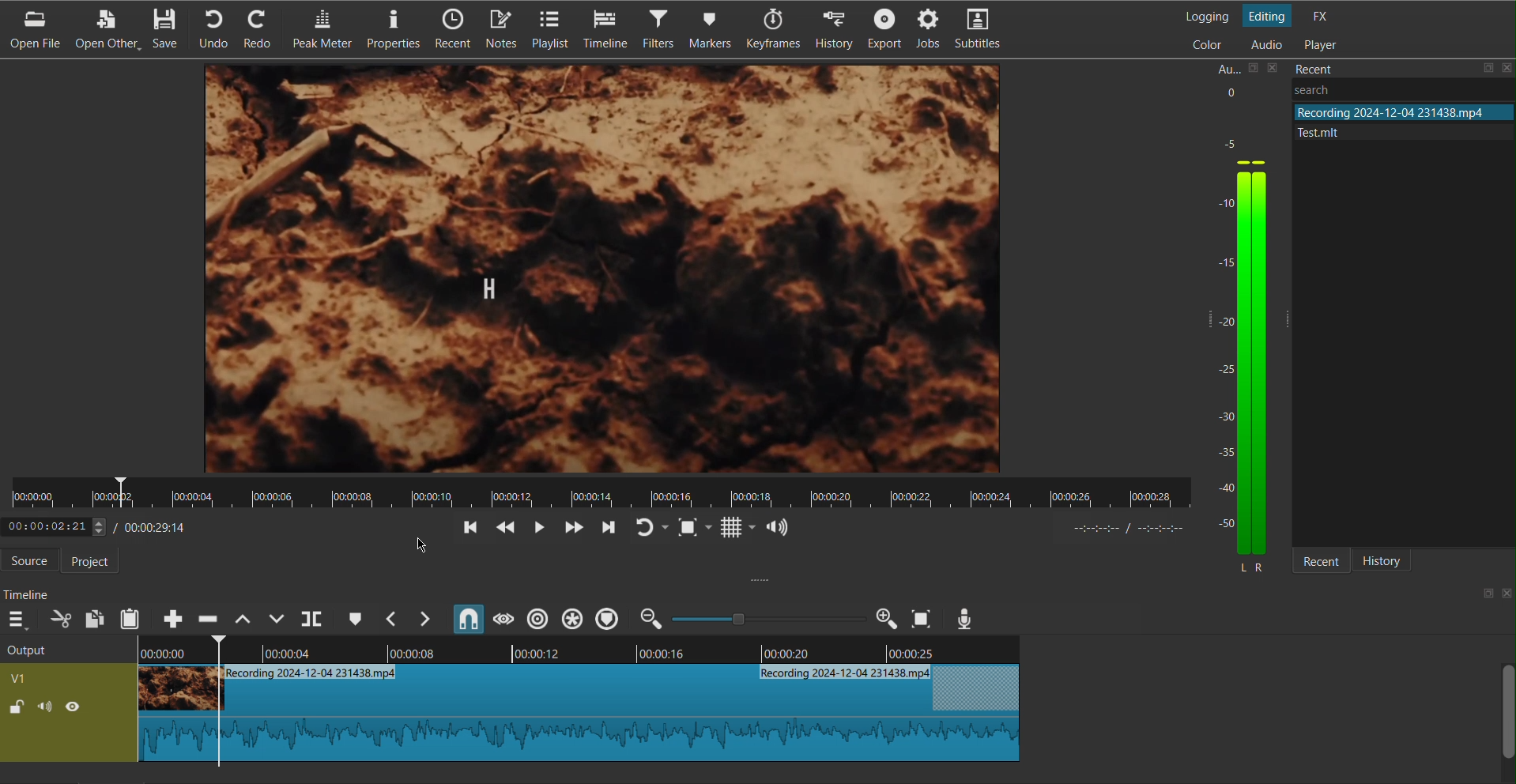  What do you see at coordinates (1274, 67) in the screenshot?
I see `close` at bounding box center [1274, 67].